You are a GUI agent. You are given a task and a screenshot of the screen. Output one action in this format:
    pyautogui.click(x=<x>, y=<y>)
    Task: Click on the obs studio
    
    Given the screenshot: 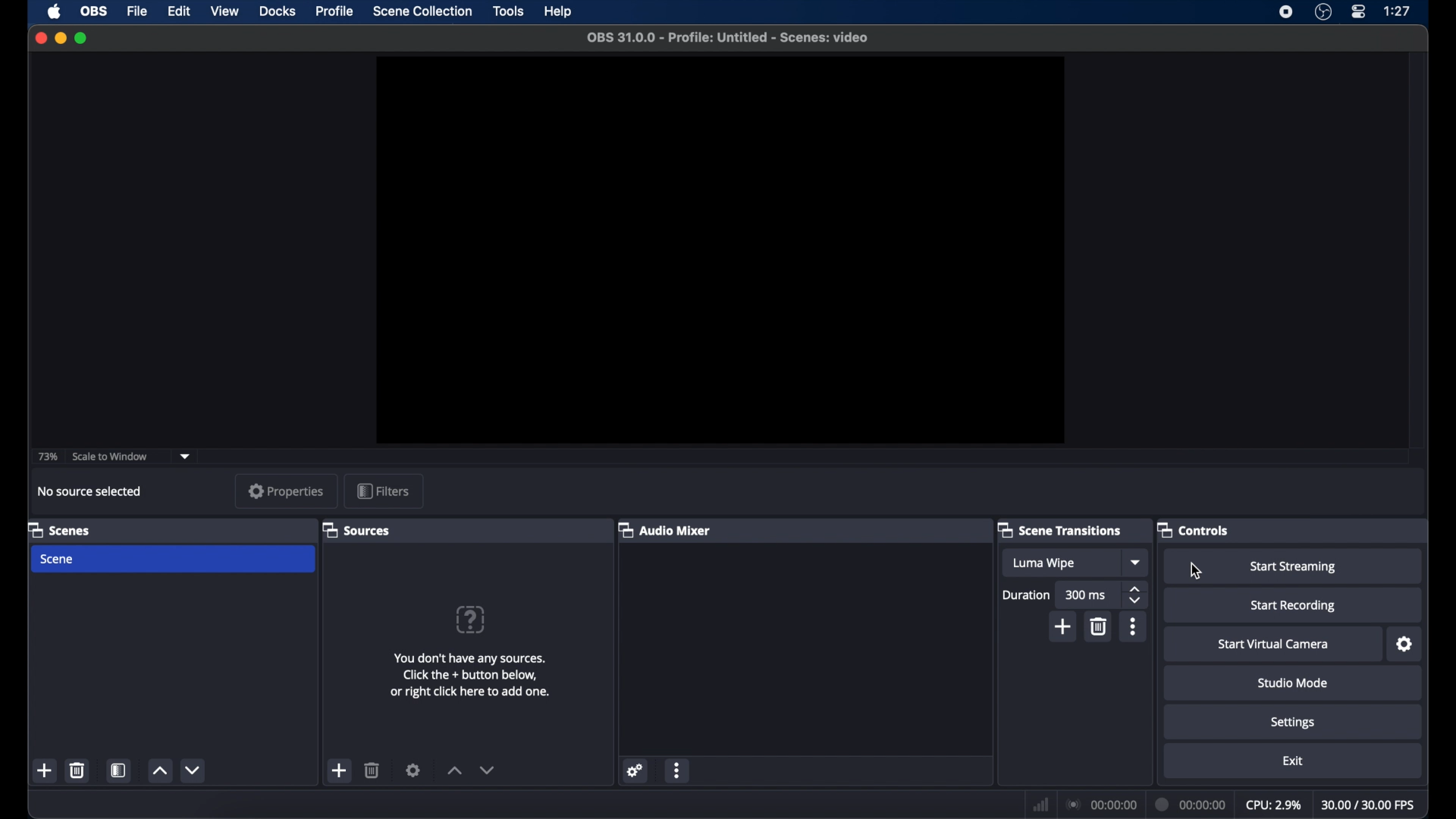 What is the action you would take?
    pyautogui.click(x=1323, y=13)
    